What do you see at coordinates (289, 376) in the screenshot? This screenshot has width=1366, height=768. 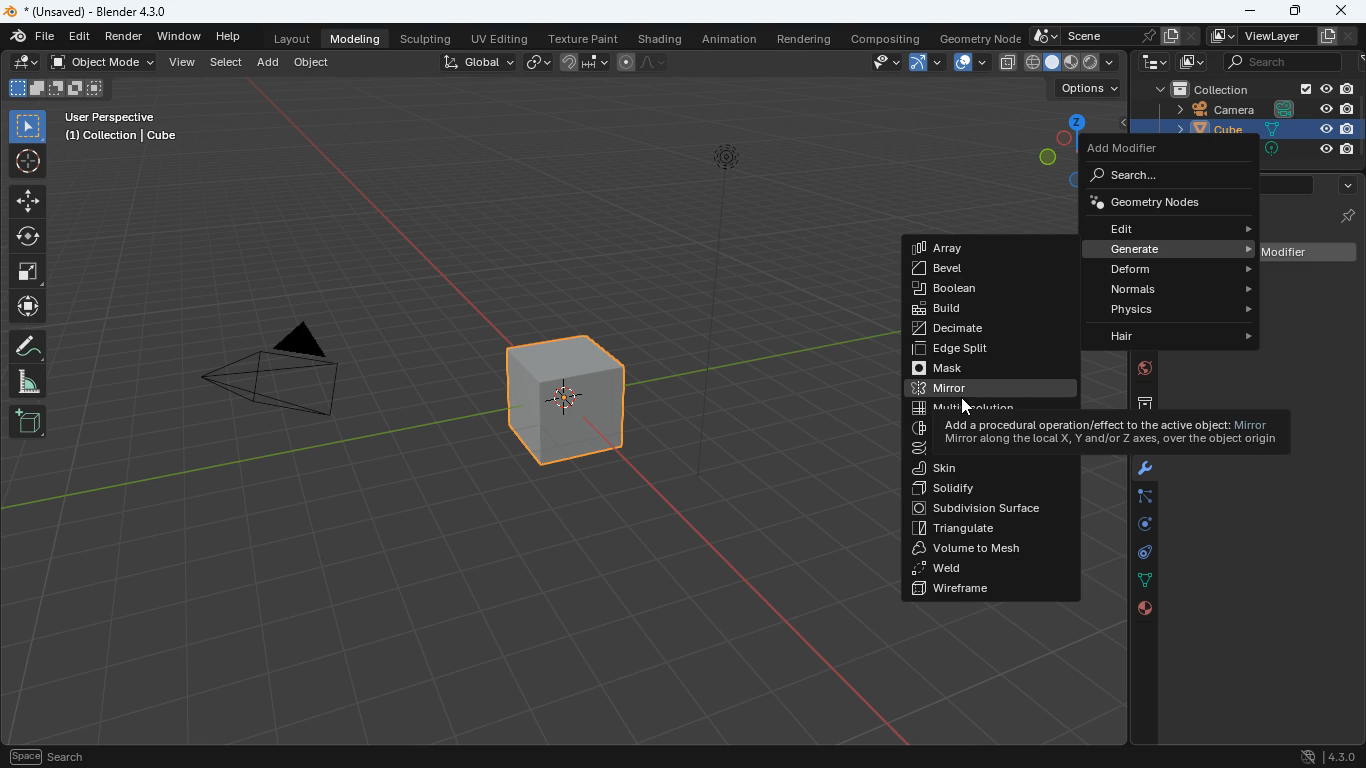 I see `camera` at bounding box center [289, 376].